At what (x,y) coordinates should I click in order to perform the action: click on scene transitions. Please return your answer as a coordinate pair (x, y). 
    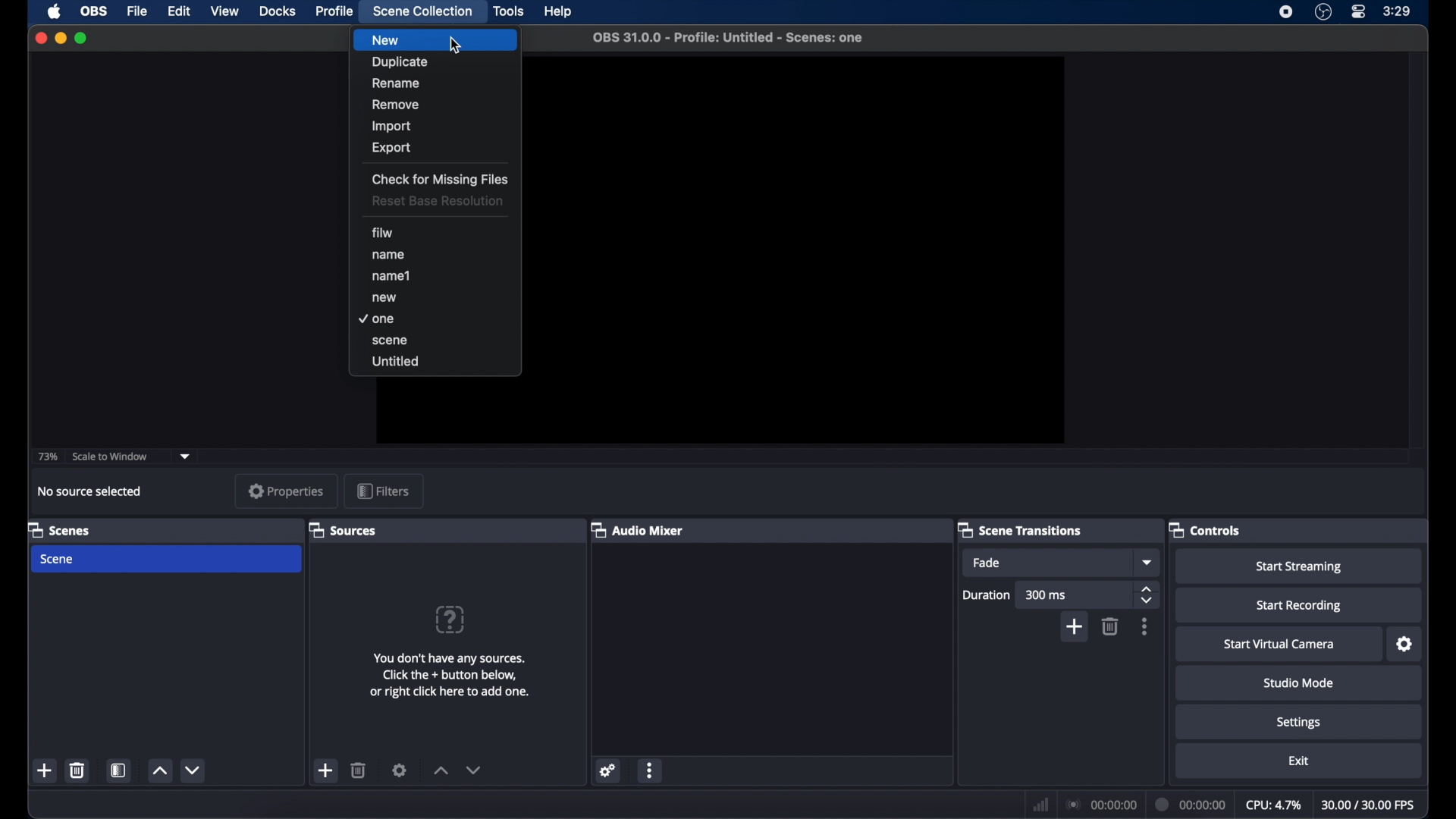
    Looking at the image, I should click on (1019, 530).